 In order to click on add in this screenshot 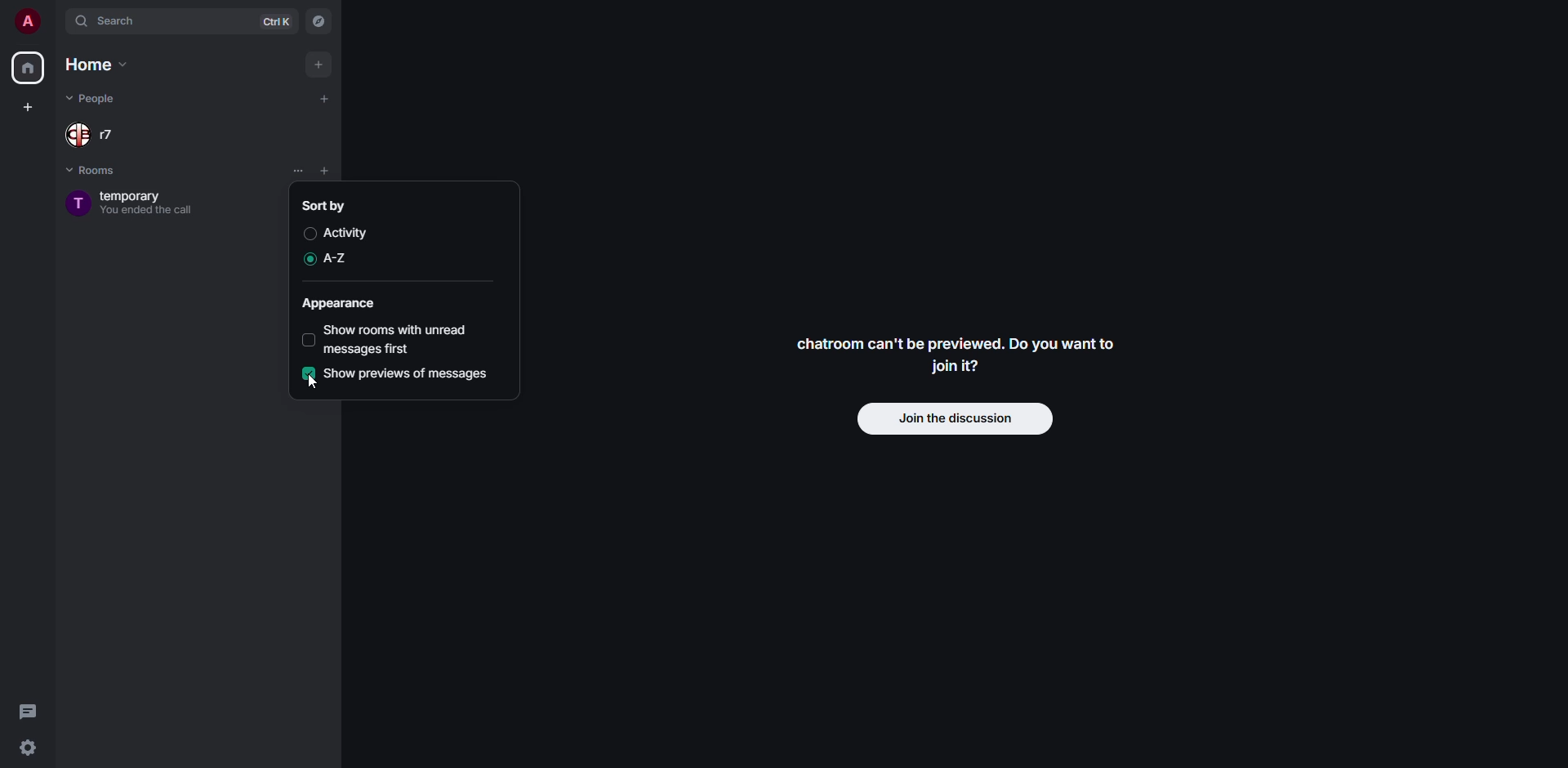, I will do `click(325, 98)`.